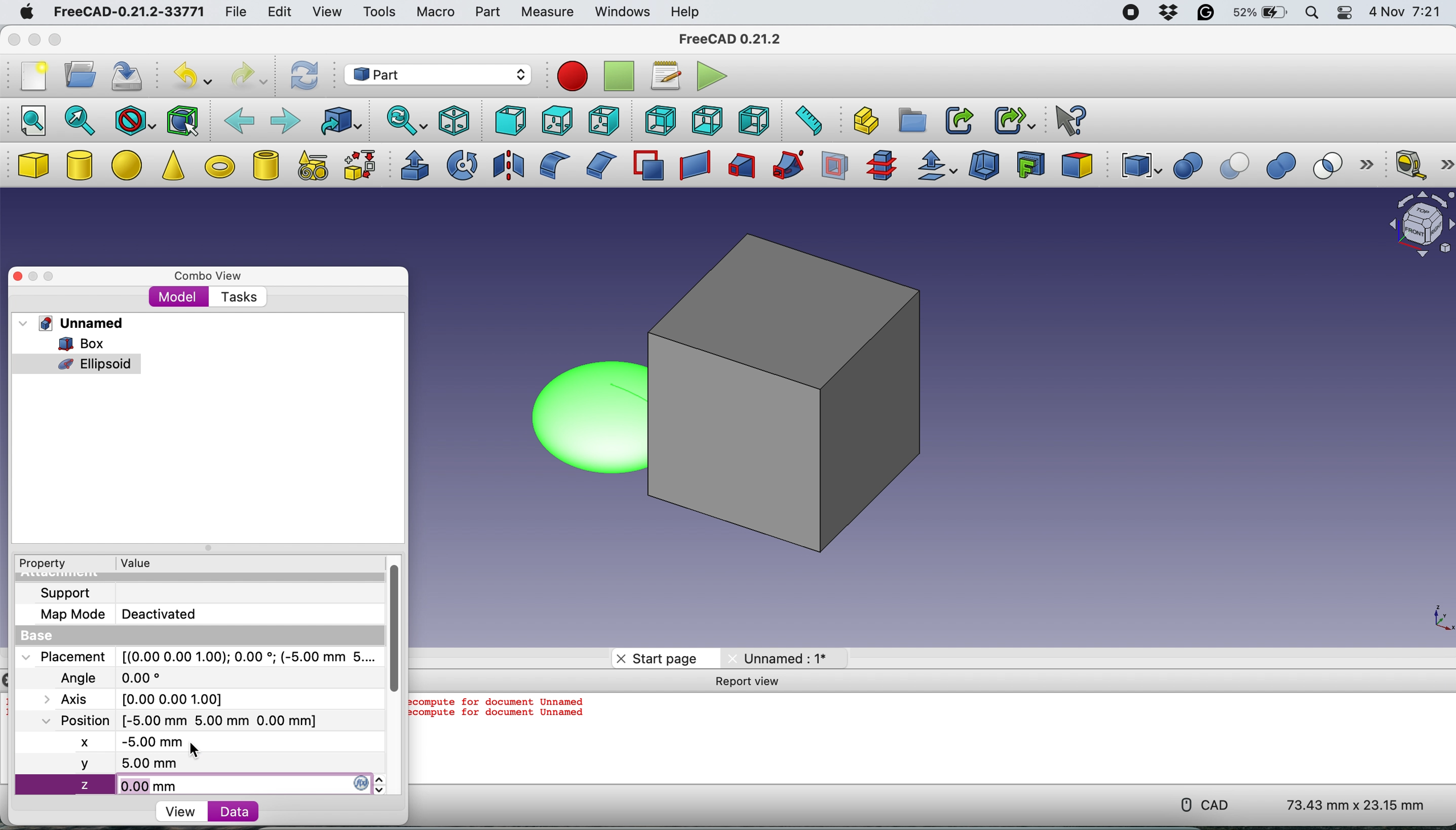 The height and width of the screenshot is (830, 1456). What do you see at coordinates (1139, 166) in the screenshot?
I see `compound tools` at bounding box center [1139, 166].